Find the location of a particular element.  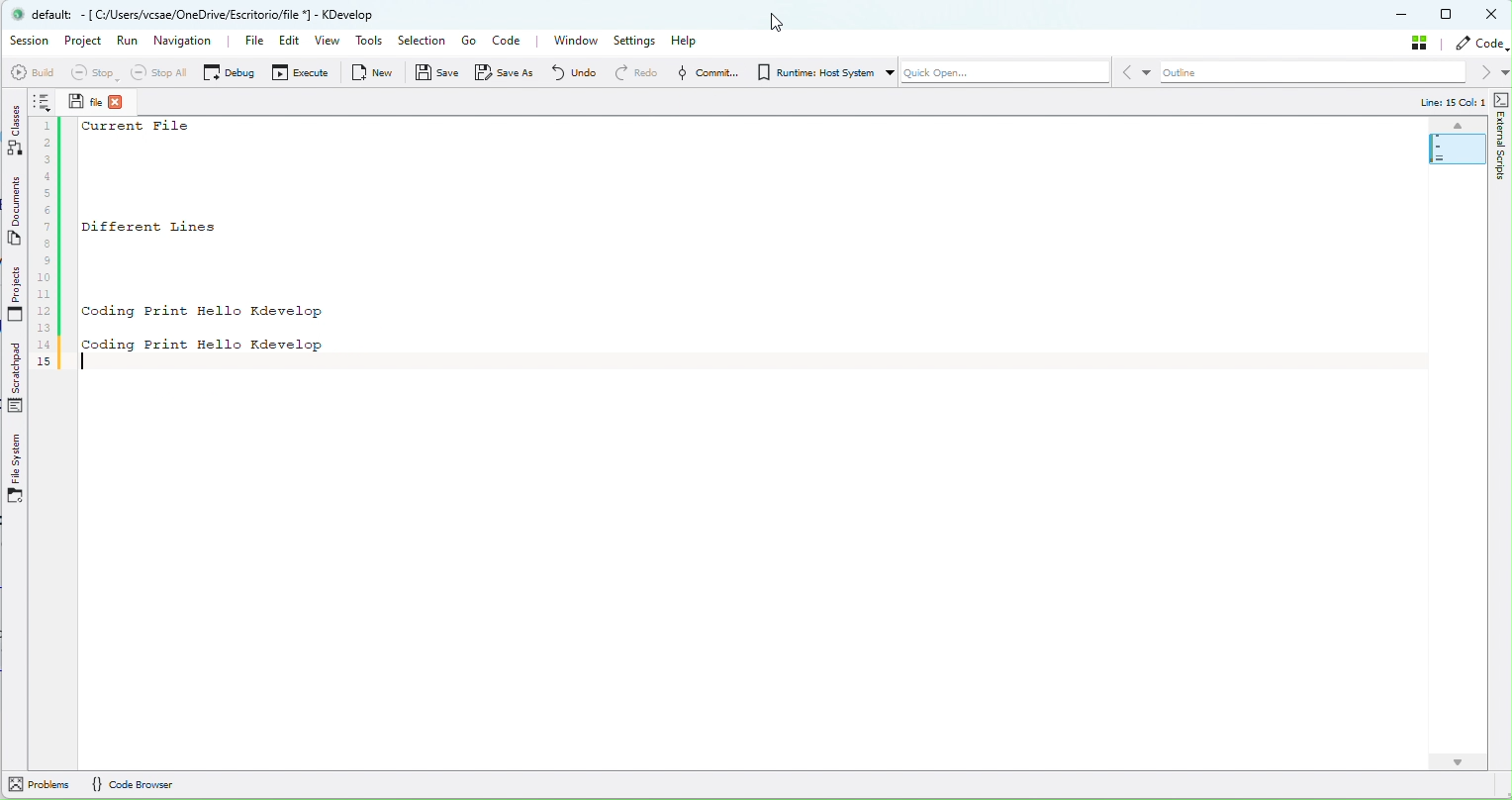

External Scripts is located at coordinates (1502, 161).